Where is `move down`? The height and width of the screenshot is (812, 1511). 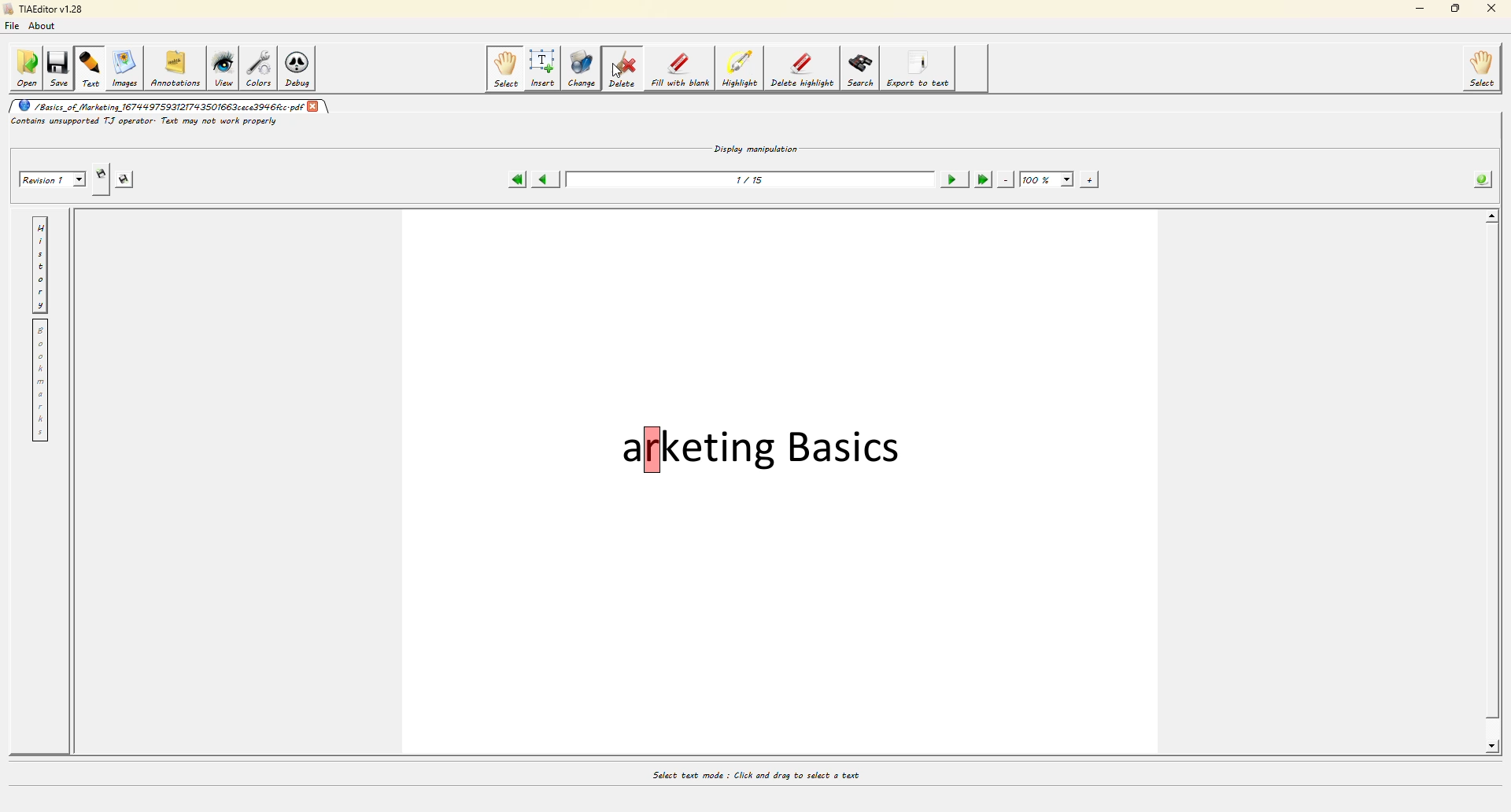 move down is located at coordinates (1494, 747).